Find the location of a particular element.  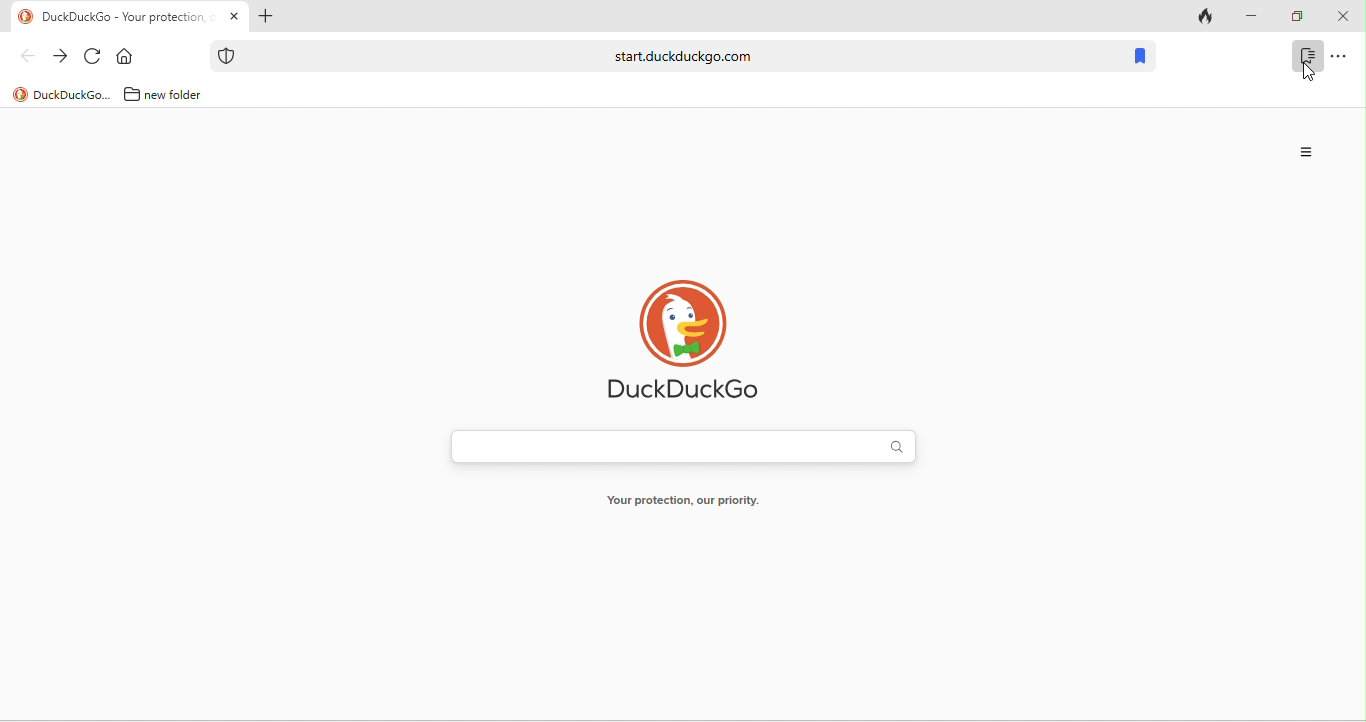

cursor is located at coordinates (1308, 73).